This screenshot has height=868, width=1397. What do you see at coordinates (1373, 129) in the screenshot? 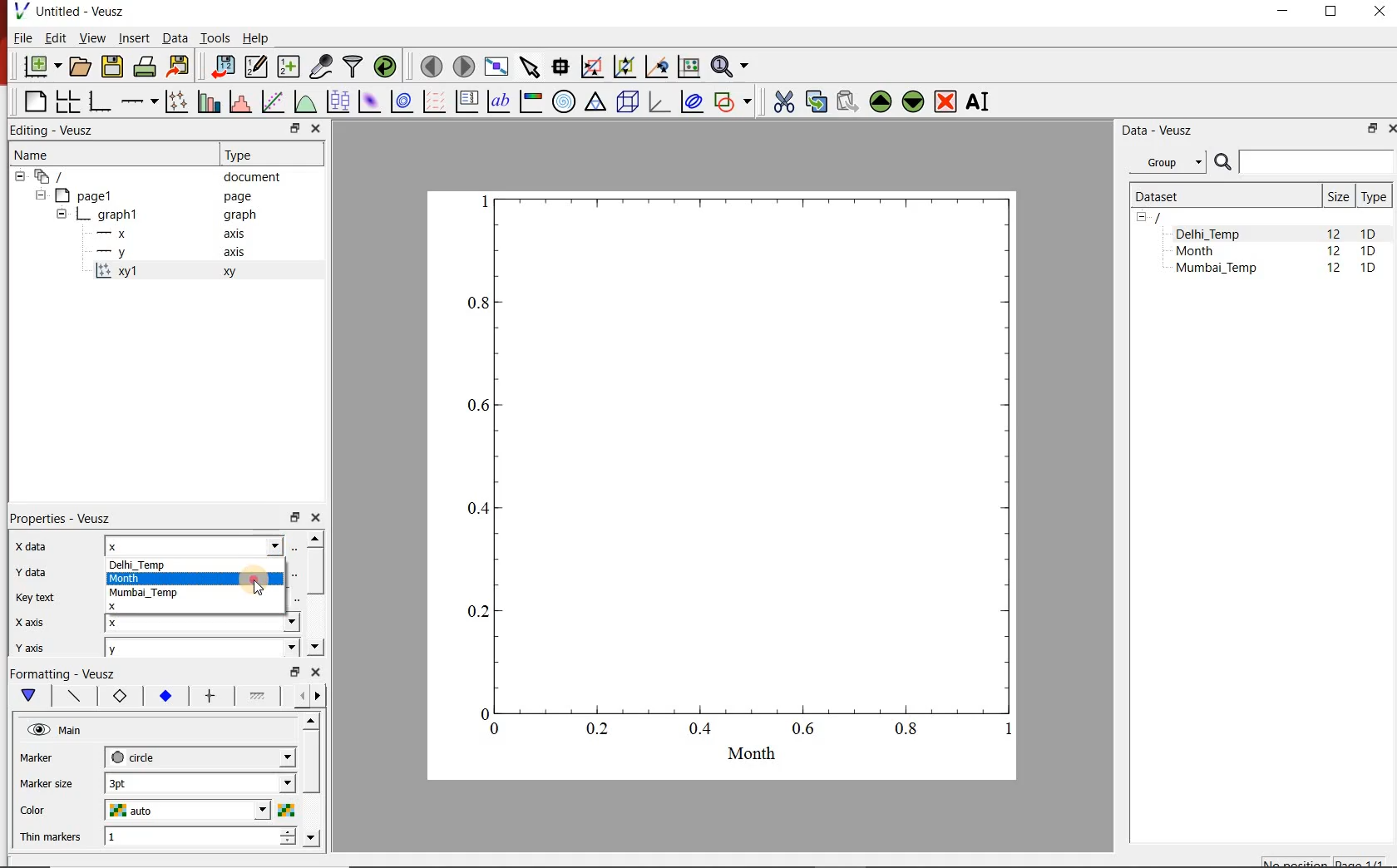
I see `RESTORE` at bounding box center [1373, 129].